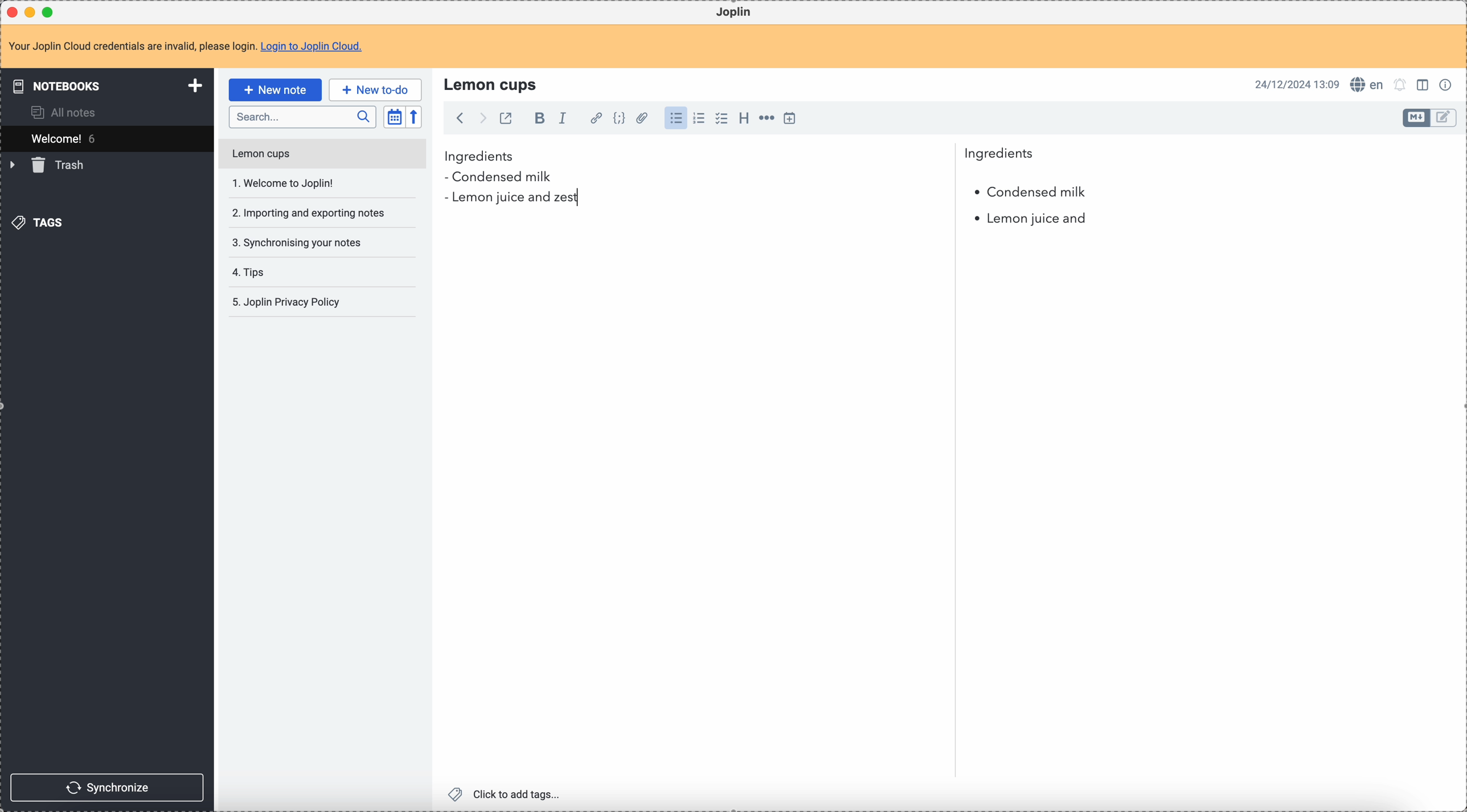 The width and height of the screenshot is (1467, 812). Describe the element at coordinates (296, 241) in the screenshot. I see `synchronising your notes` at that location.